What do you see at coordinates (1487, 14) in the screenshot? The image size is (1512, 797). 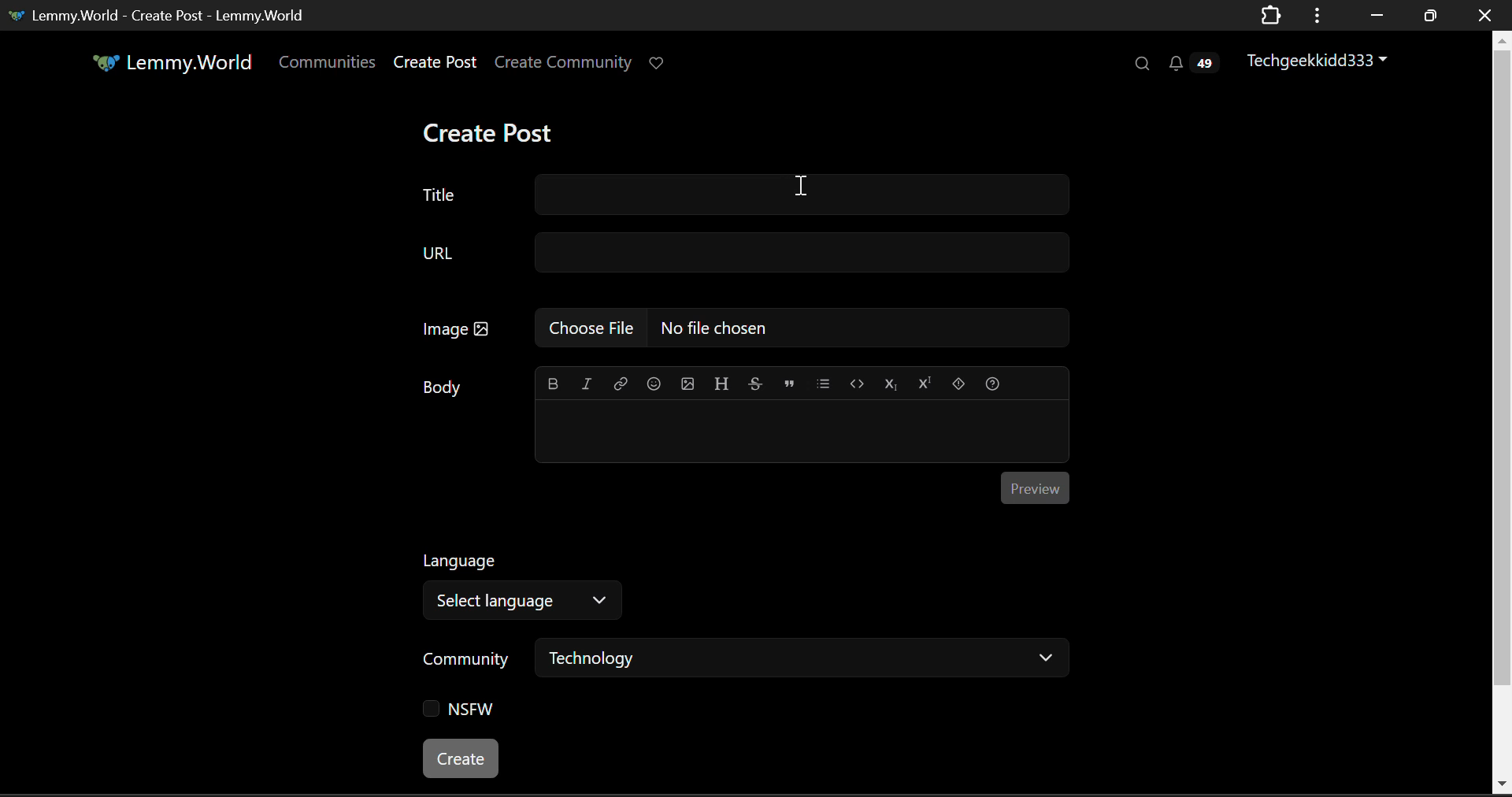 I see `Close Window` at bounding box center [1487, 14].